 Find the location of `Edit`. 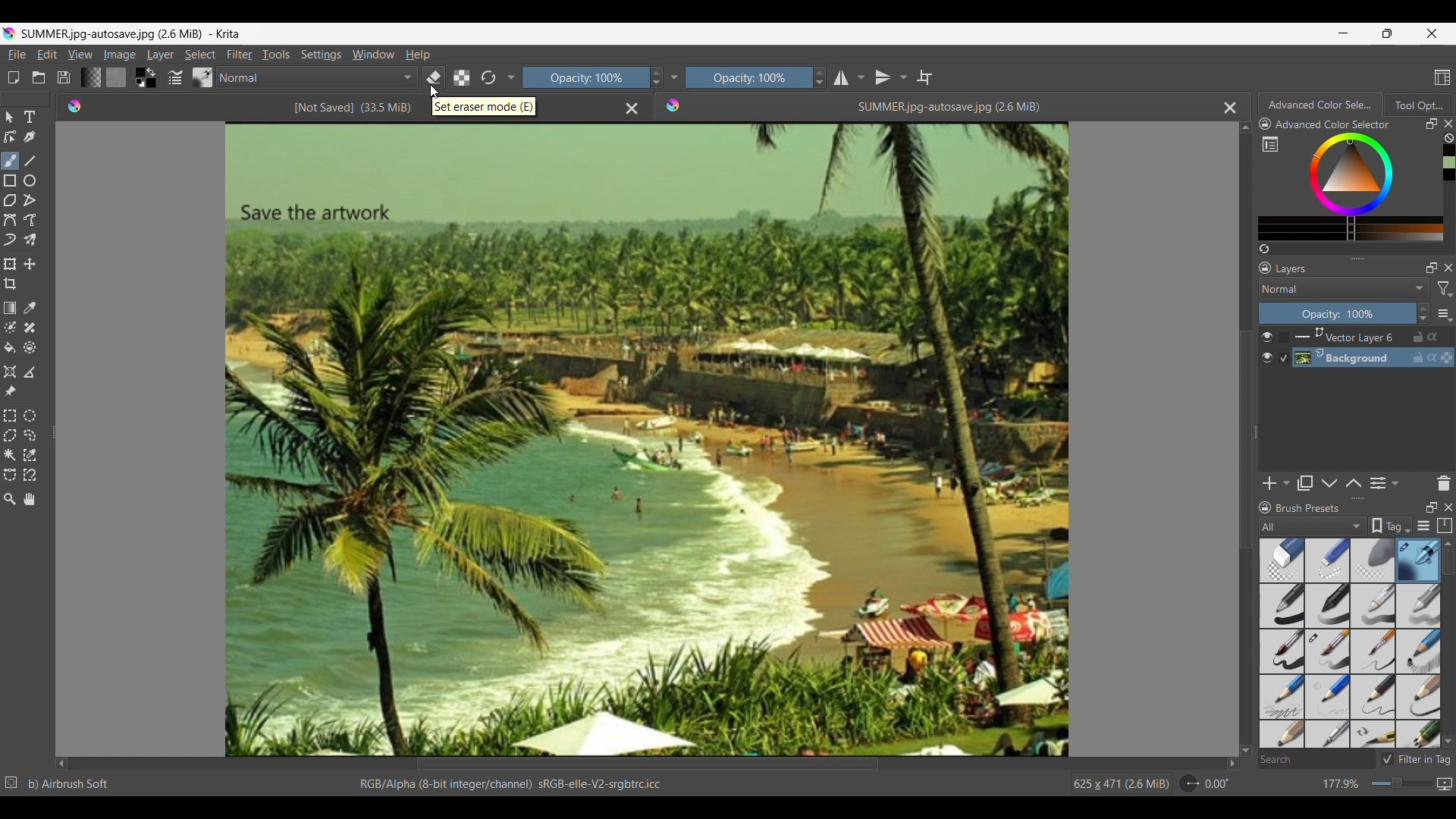

Edit is located at coordinates (47, 55).